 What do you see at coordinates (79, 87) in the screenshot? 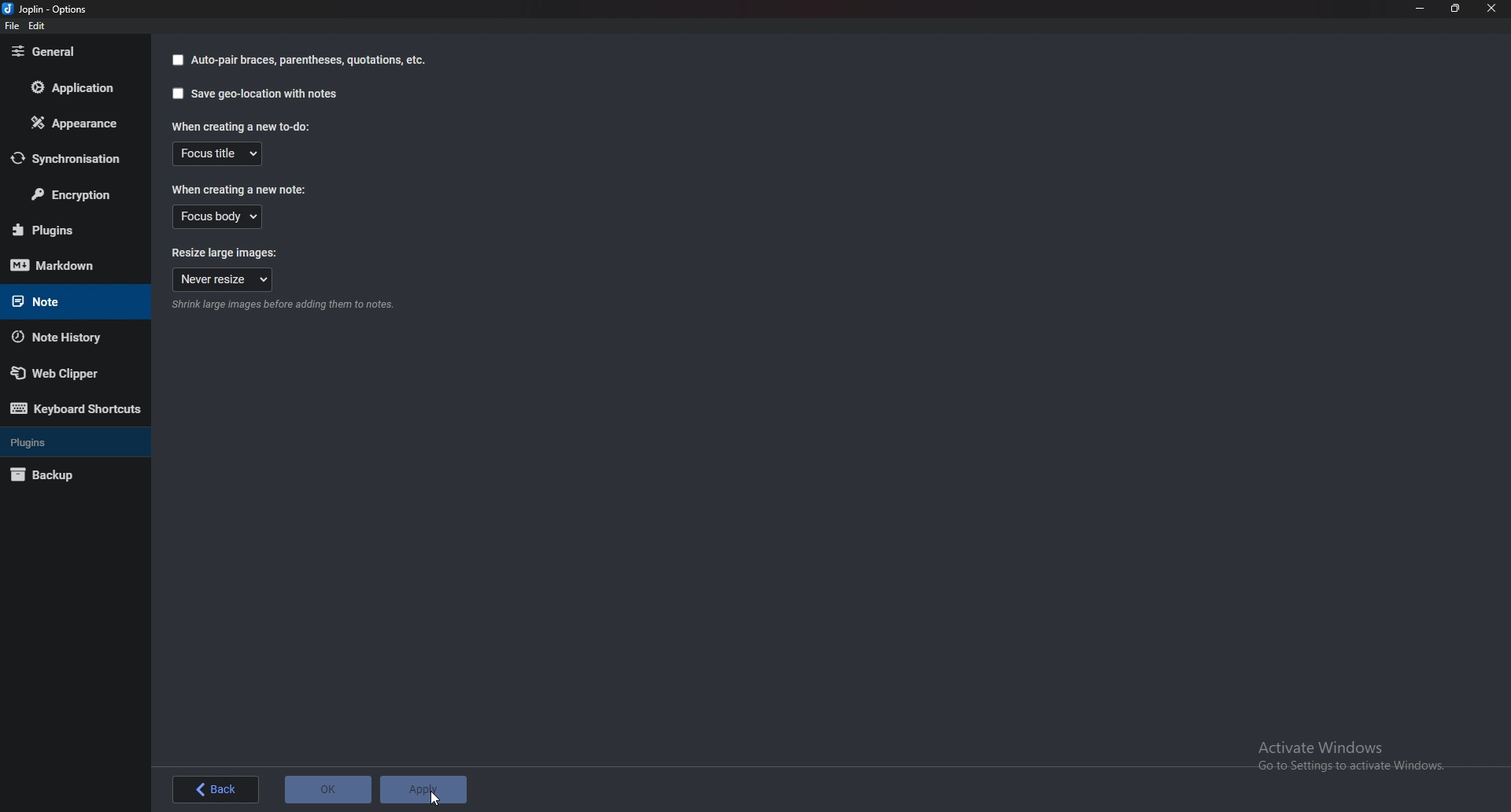
I see `Application` at bounding box center [79, 87].